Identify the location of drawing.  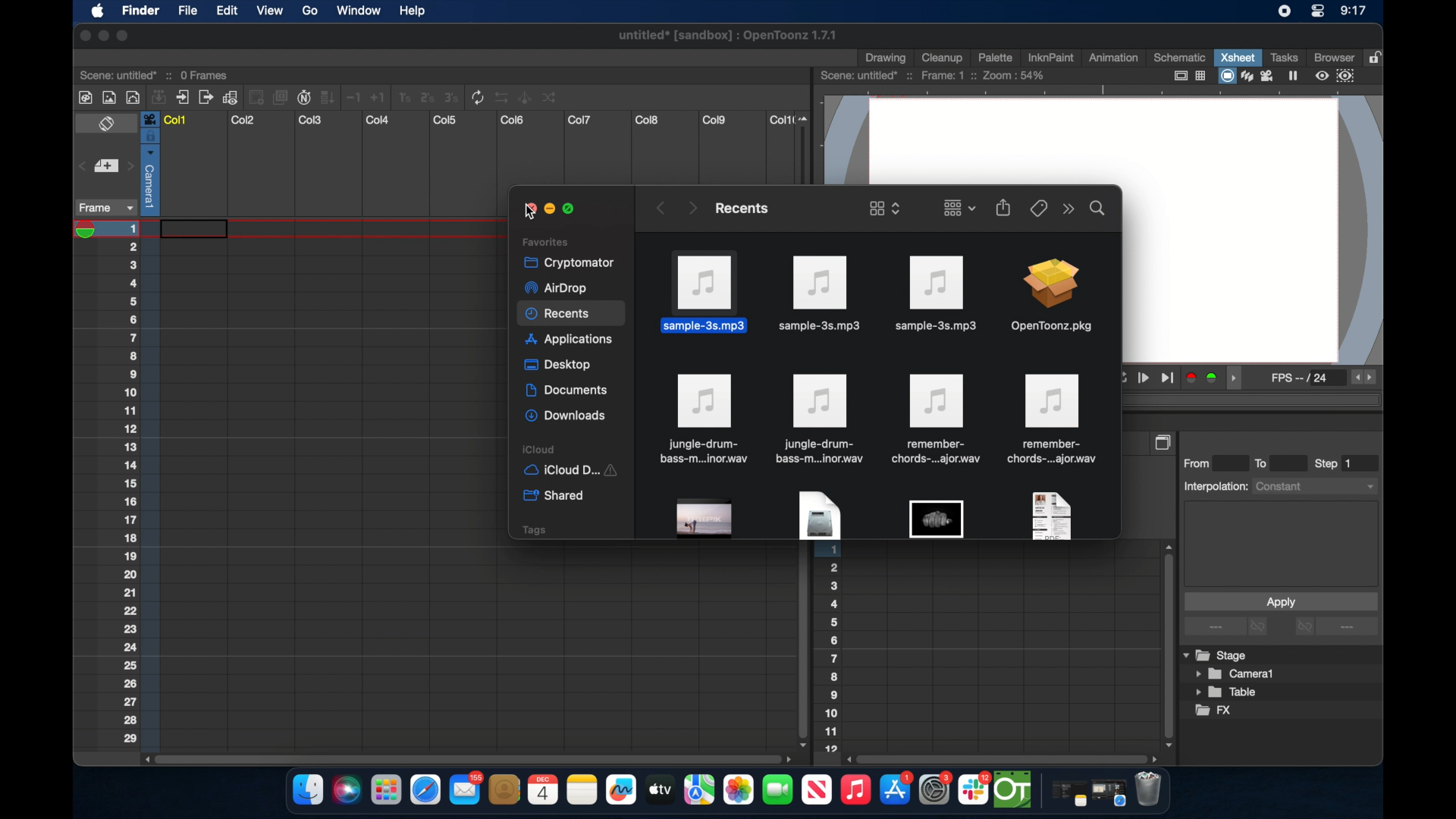
(887, 58).